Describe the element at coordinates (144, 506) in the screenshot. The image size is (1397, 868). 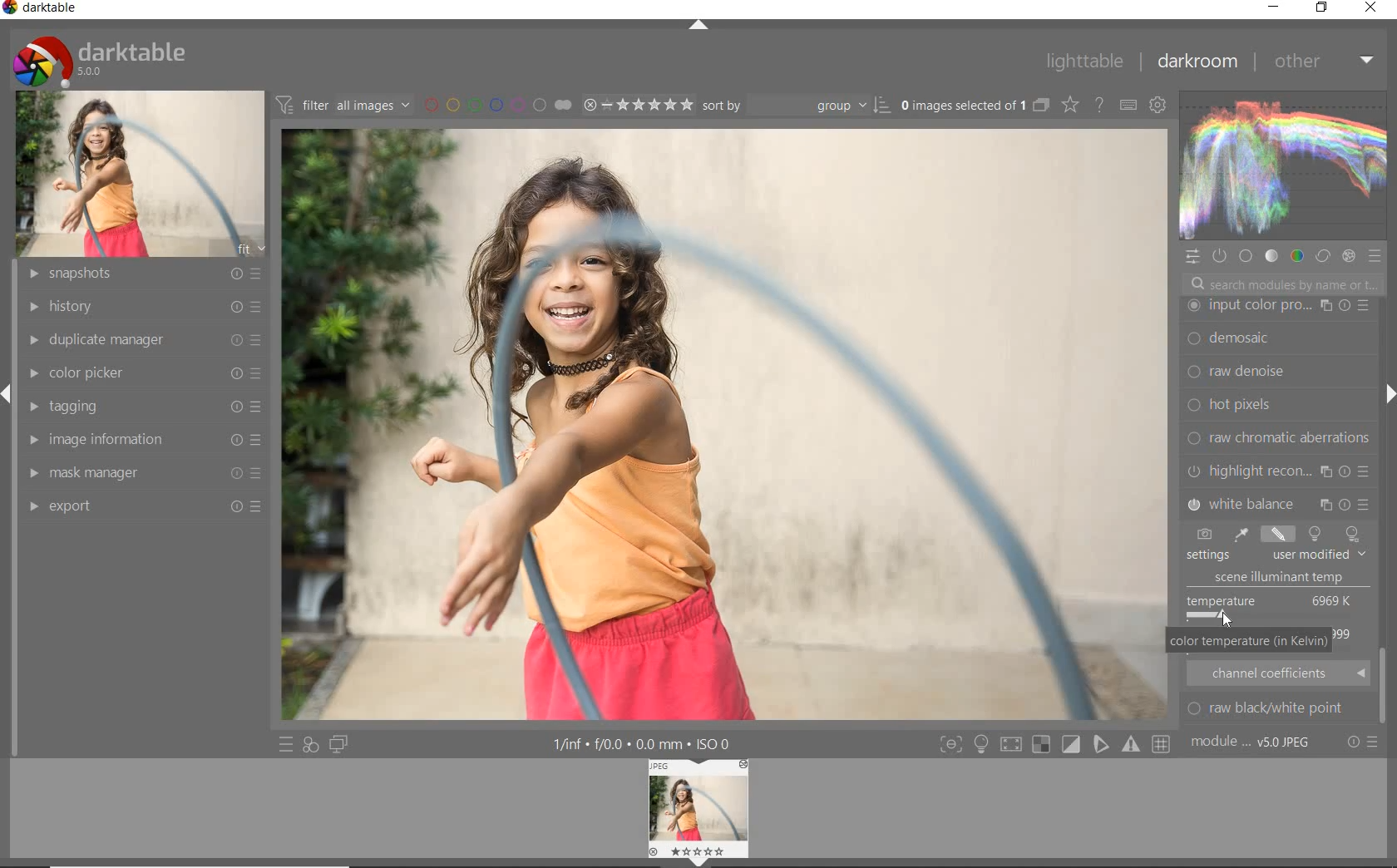
I see `export` at that location.